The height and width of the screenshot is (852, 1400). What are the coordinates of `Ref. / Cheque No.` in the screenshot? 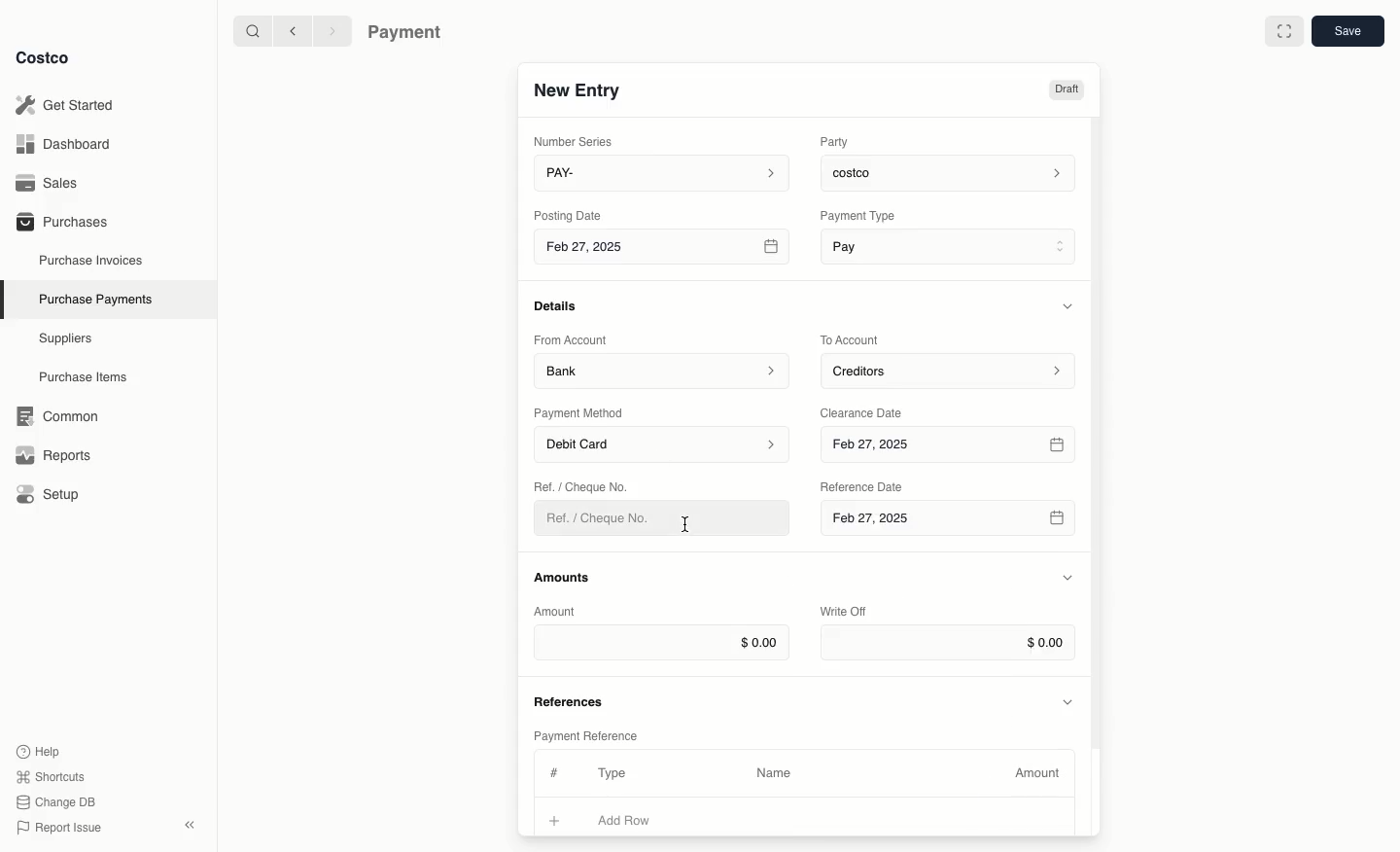 It's located at (606, 518).